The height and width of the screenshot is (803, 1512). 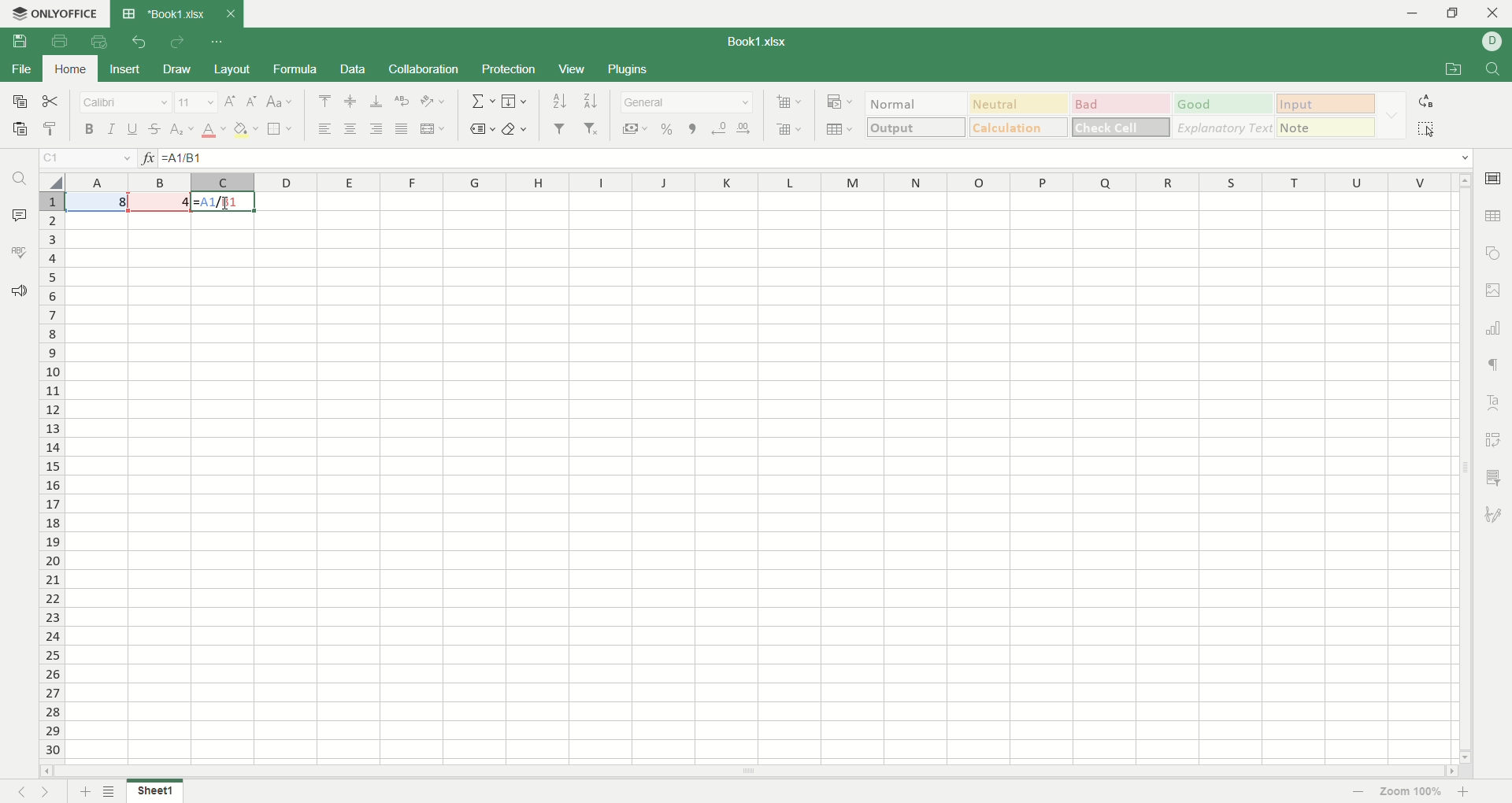 I want to click on zoom out, so click(x=1359, y=792).